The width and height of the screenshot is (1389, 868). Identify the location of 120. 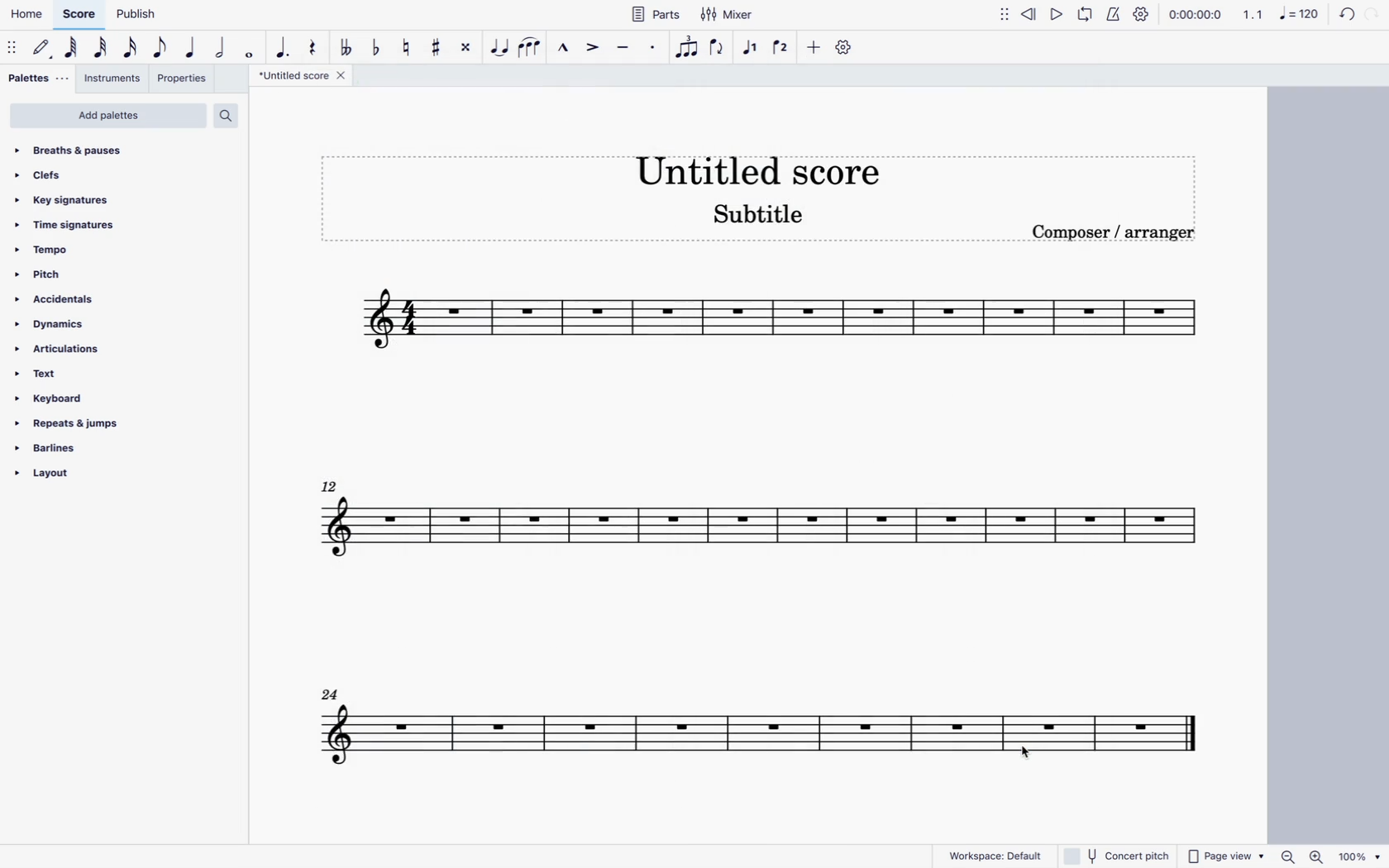
(1333, 12).